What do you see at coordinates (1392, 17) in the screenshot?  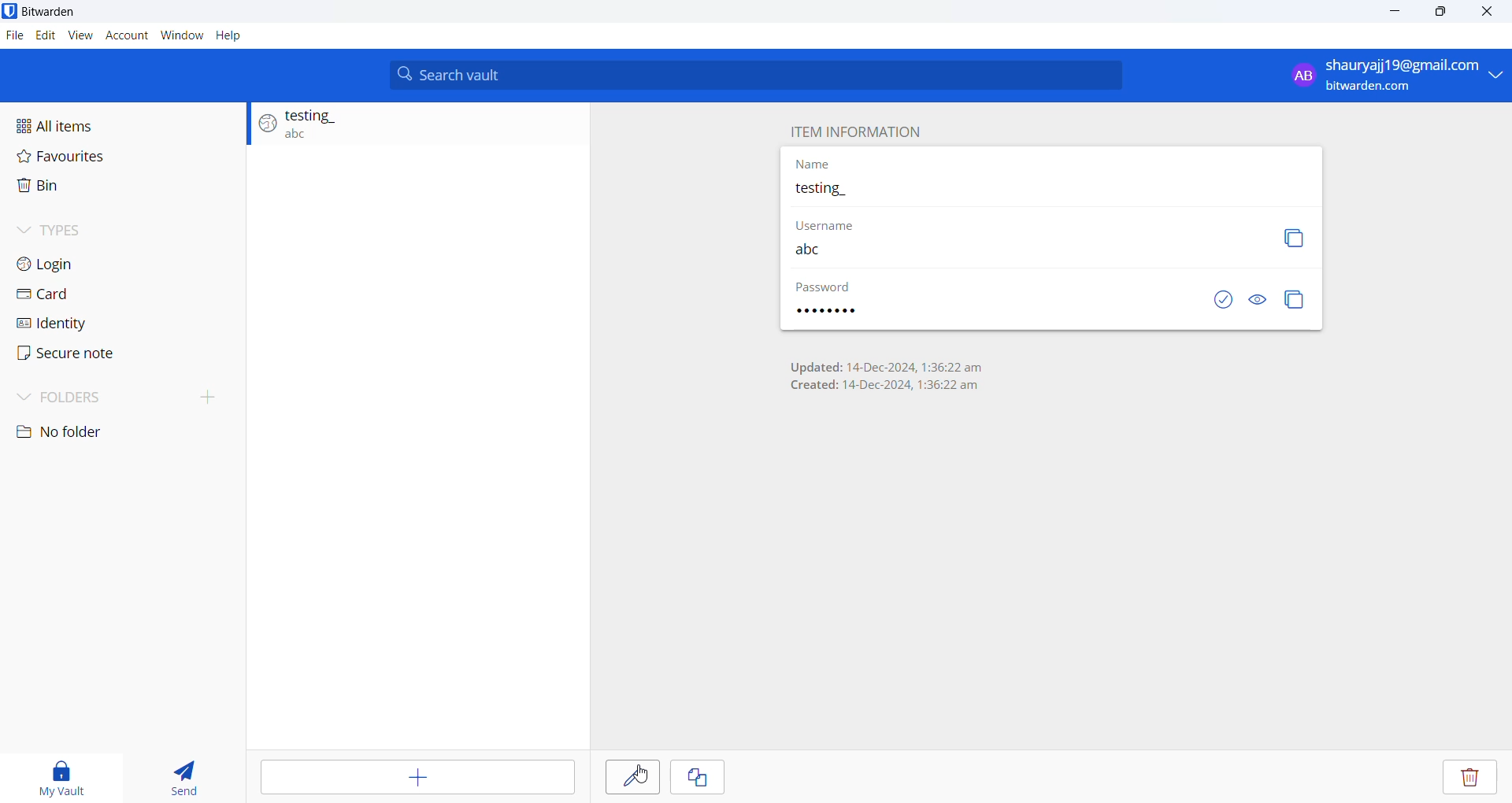 I see `minimize` at bounding box center [1392, 17].